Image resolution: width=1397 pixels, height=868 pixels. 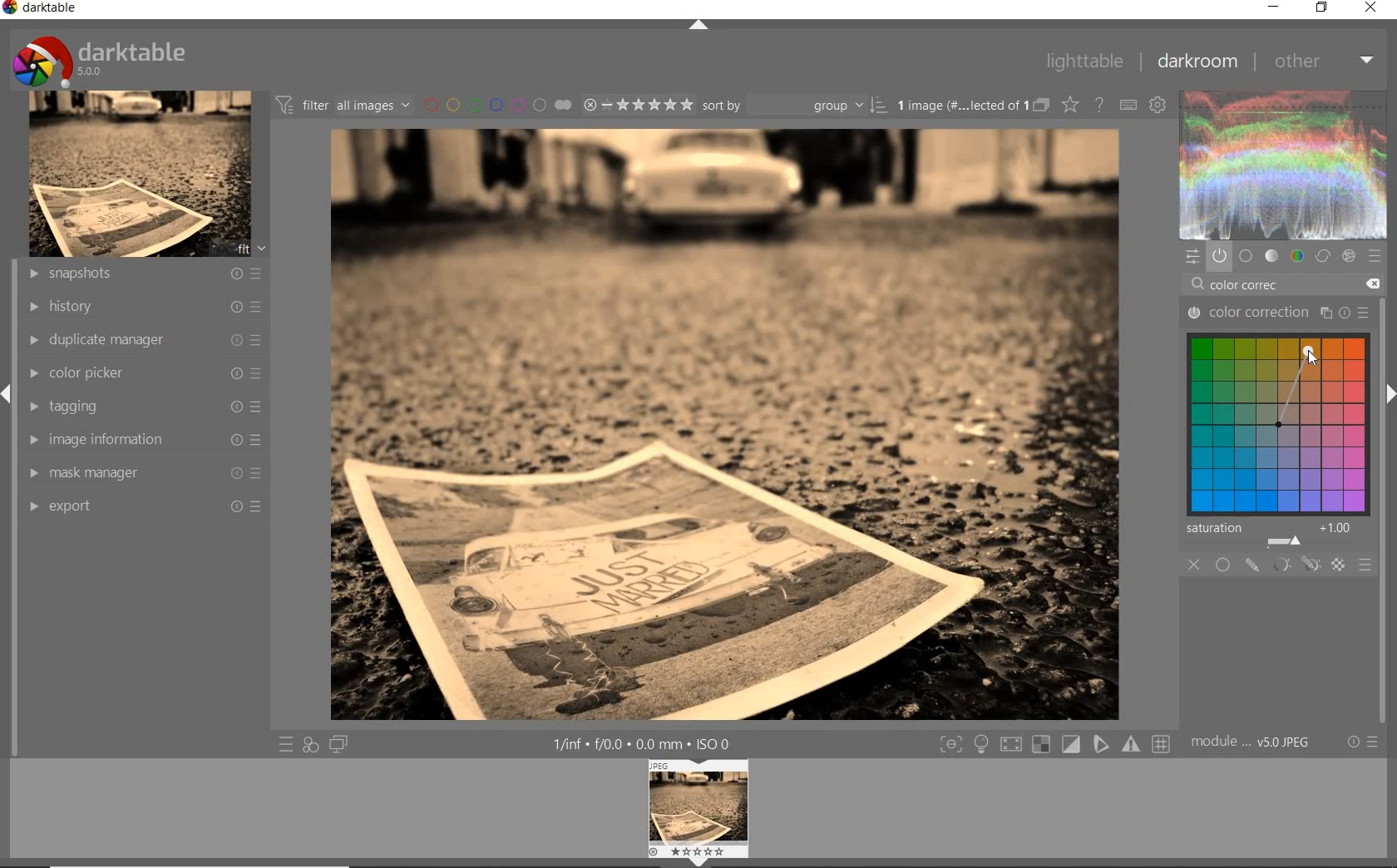 What do you see at coordinates (146, 439) in the screenshot?
I see `image information` at bounding box center [146, 439].